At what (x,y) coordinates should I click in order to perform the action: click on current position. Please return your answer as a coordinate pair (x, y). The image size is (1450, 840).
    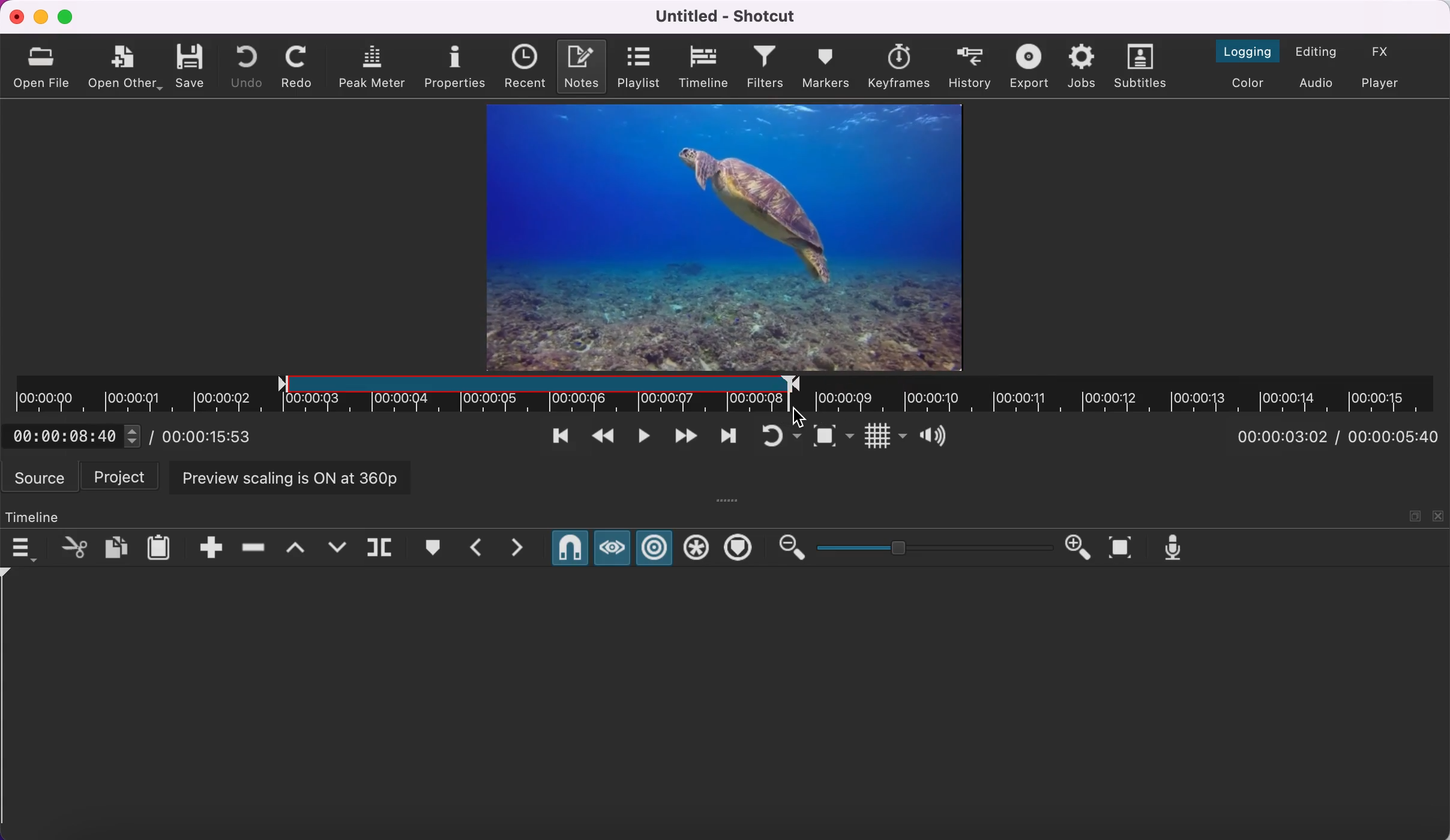
    Looking at the image, I should click on (1287, 436).